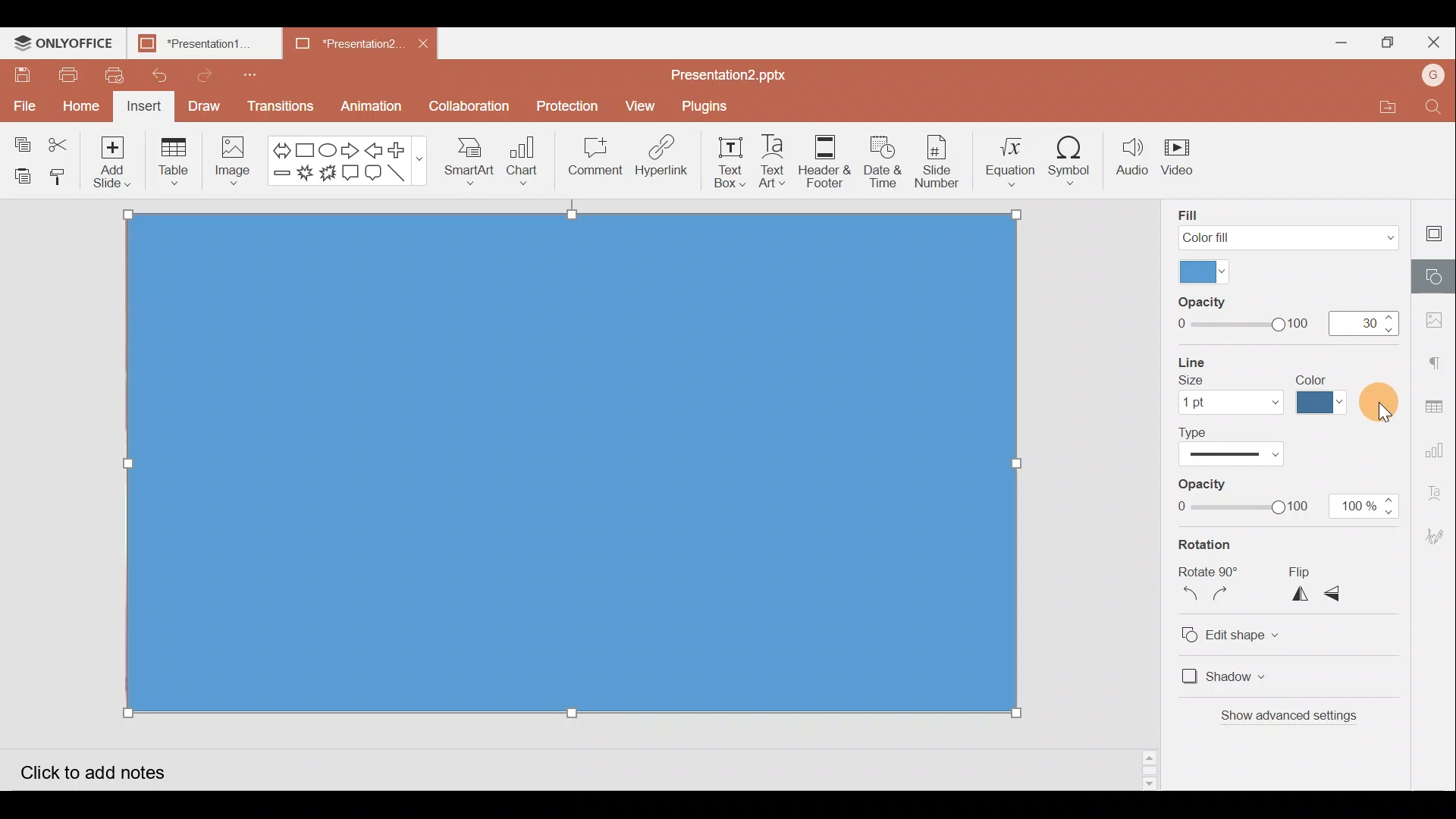 The width and height of the screenshot is (1456, 819). I want to click on Rotate 90, so click(1210, 572).